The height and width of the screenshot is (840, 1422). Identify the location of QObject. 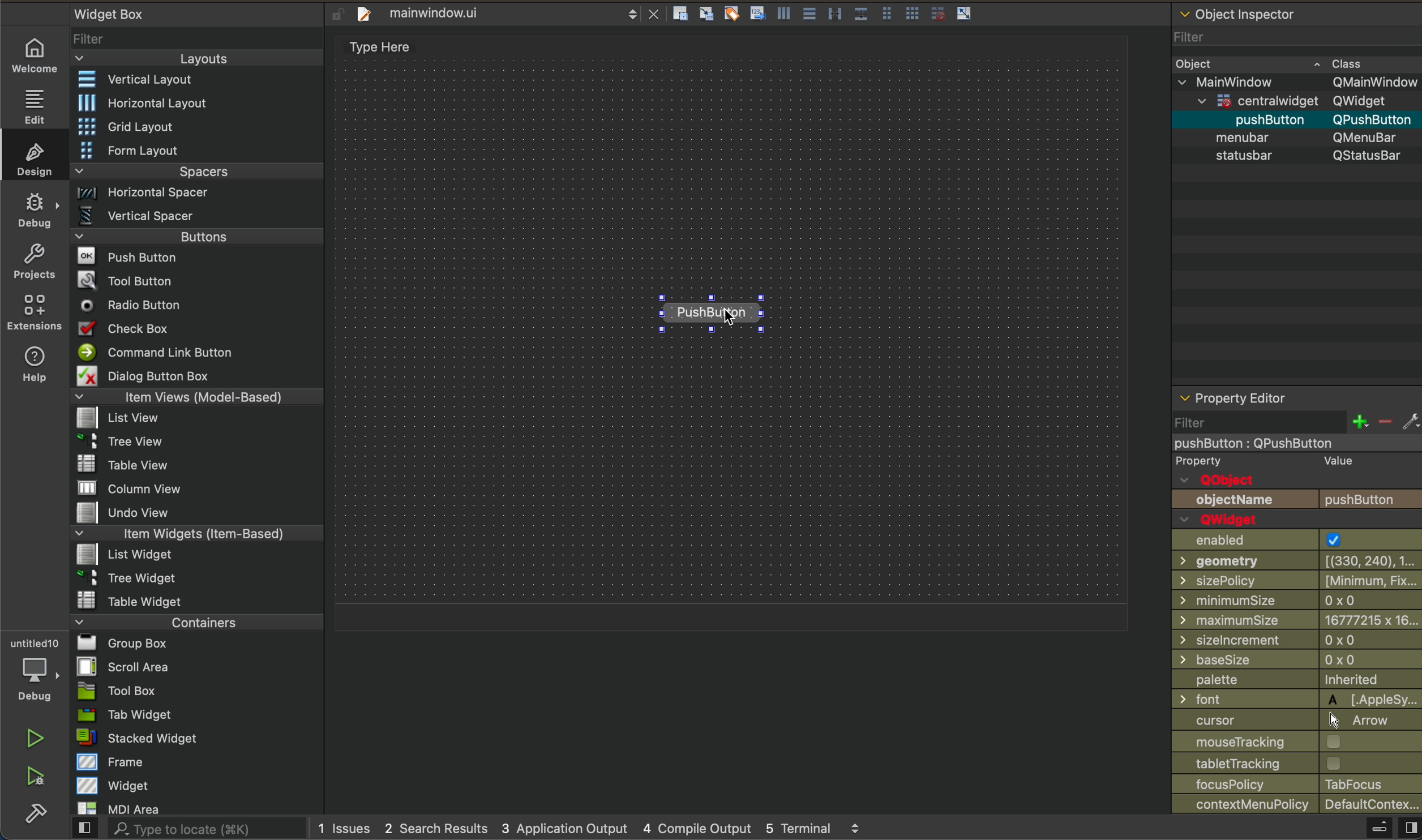
(1220, 479).